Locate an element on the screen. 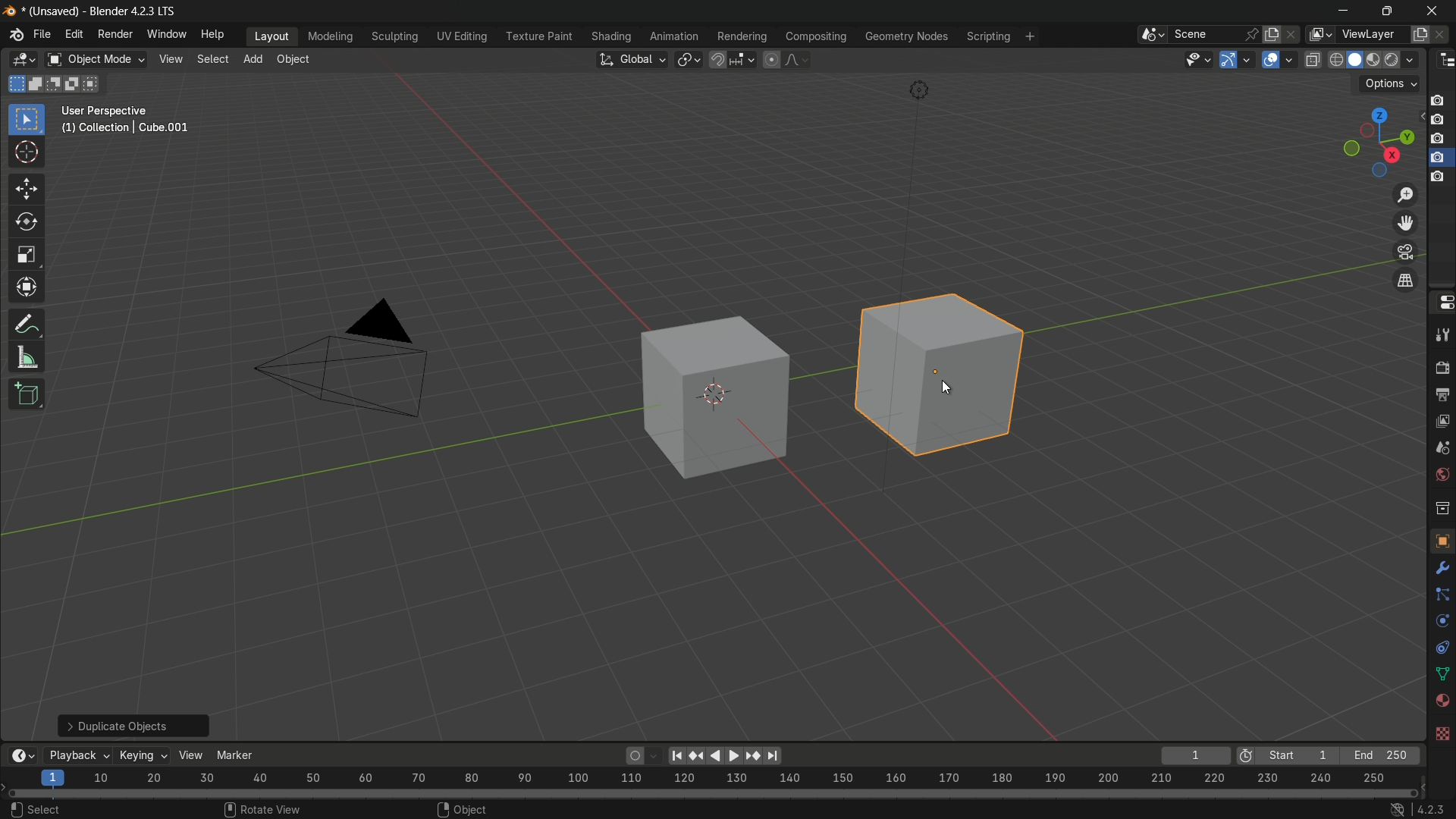  move the view is located at coordinates (1408, 224).